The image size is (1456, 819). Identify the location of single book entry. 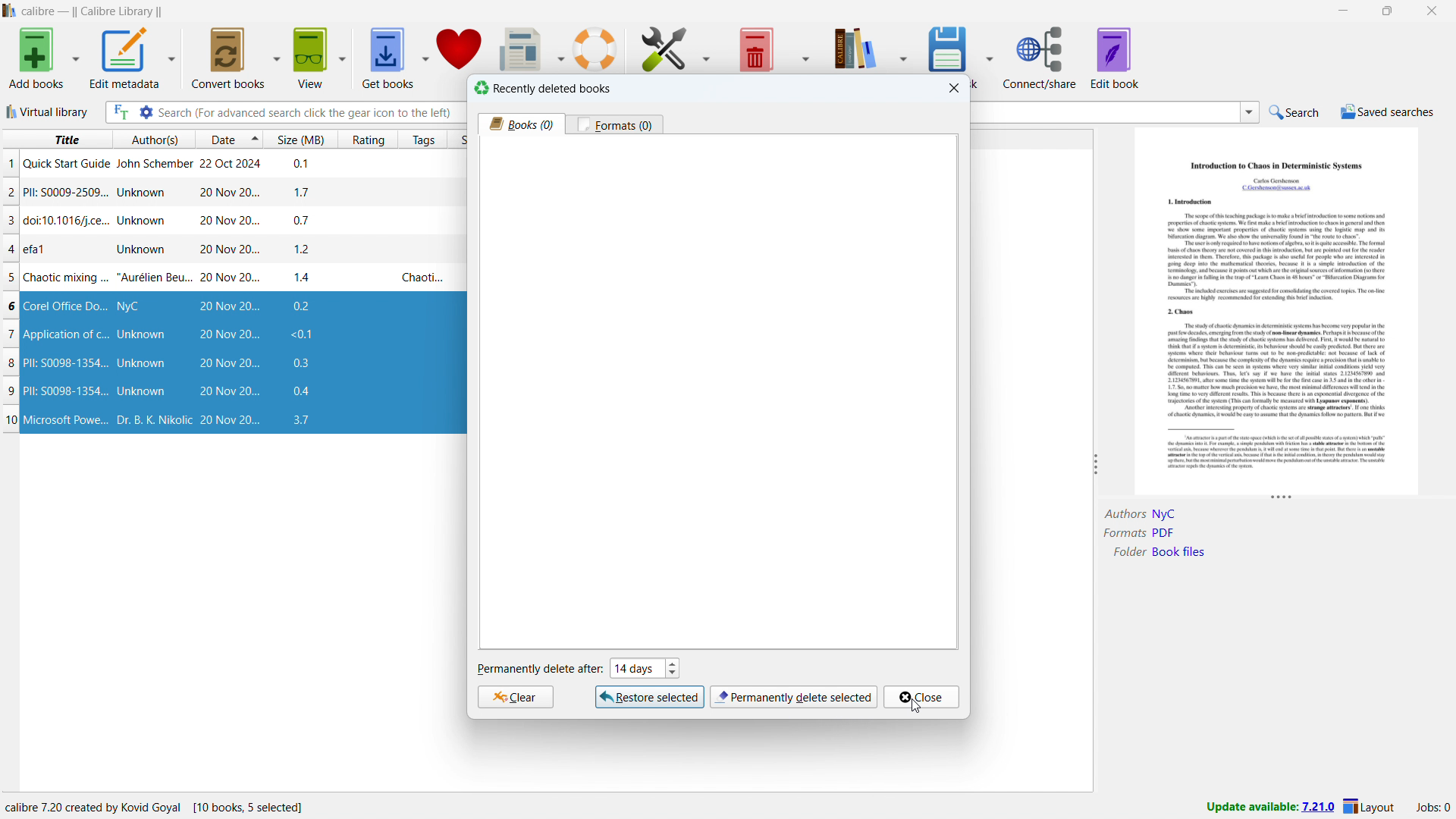
(227, 221).